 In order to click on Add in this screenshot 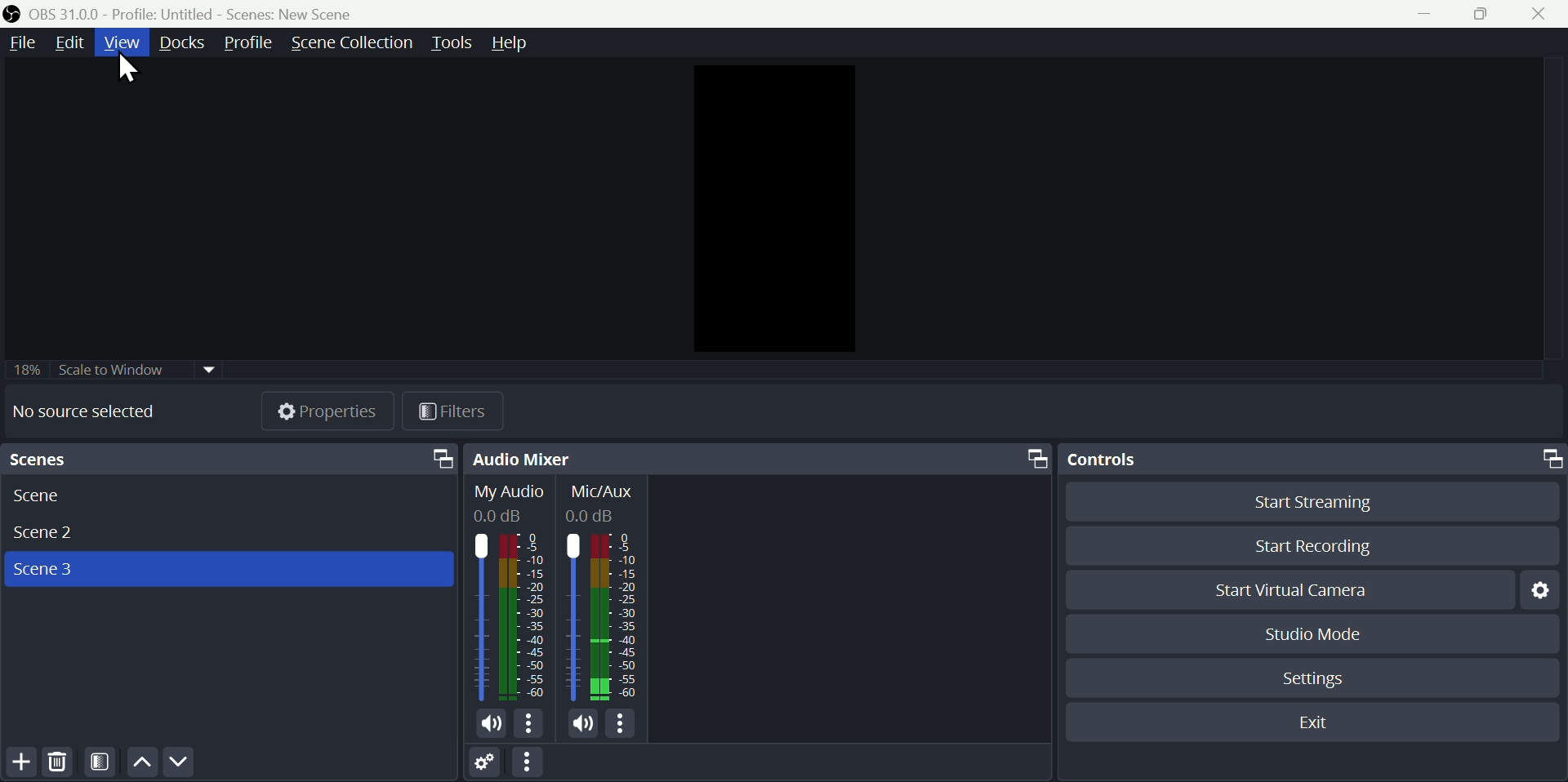, I will do `click(18, 765)`.